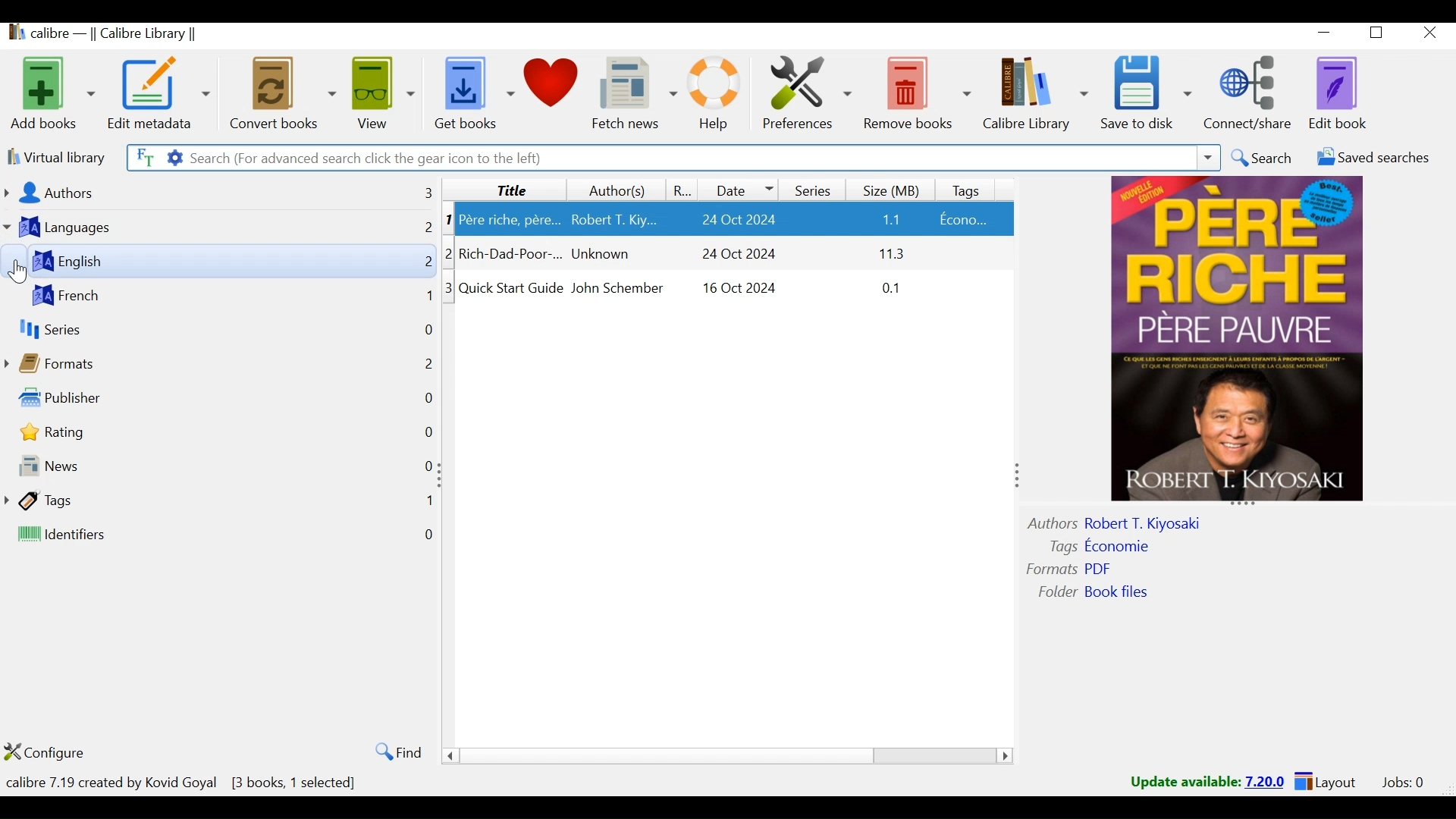 This screenshot has width=1456, height=819. What do you see at coordinates (127, 469) in the screenshot?
I see `News` at bounding box center [127, 469].